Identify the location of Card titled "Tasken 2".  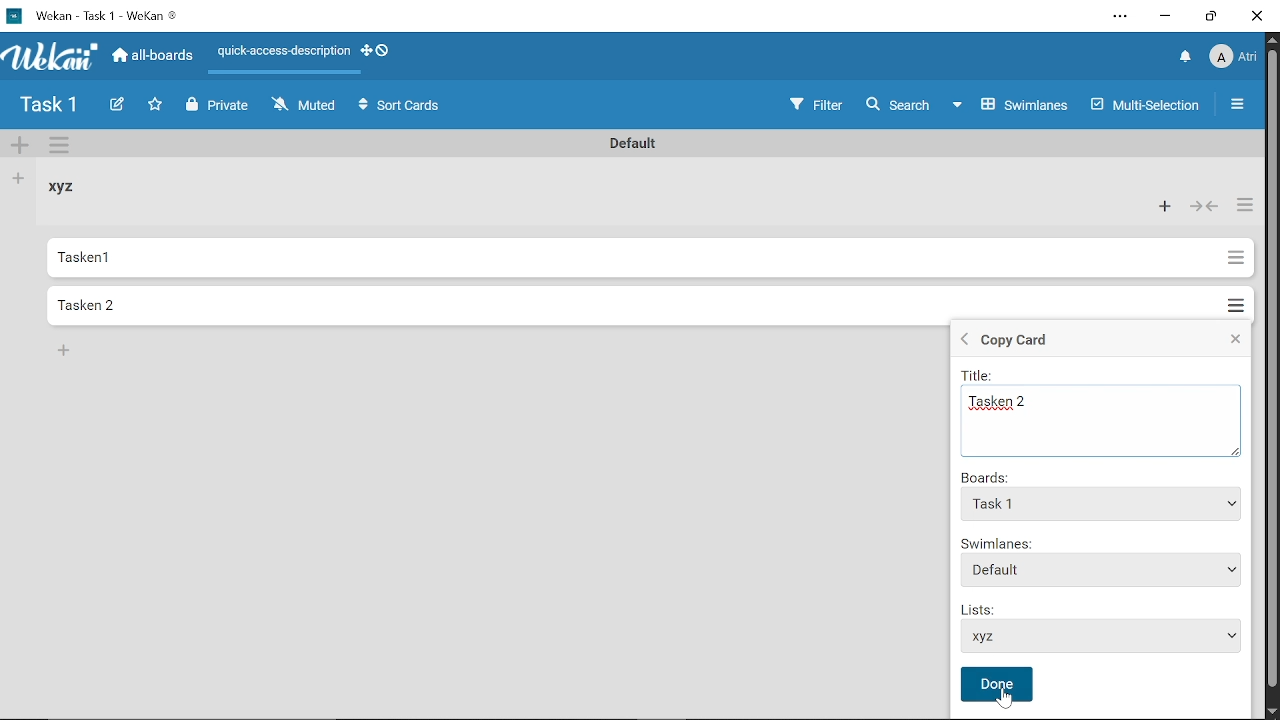
(623, 304).